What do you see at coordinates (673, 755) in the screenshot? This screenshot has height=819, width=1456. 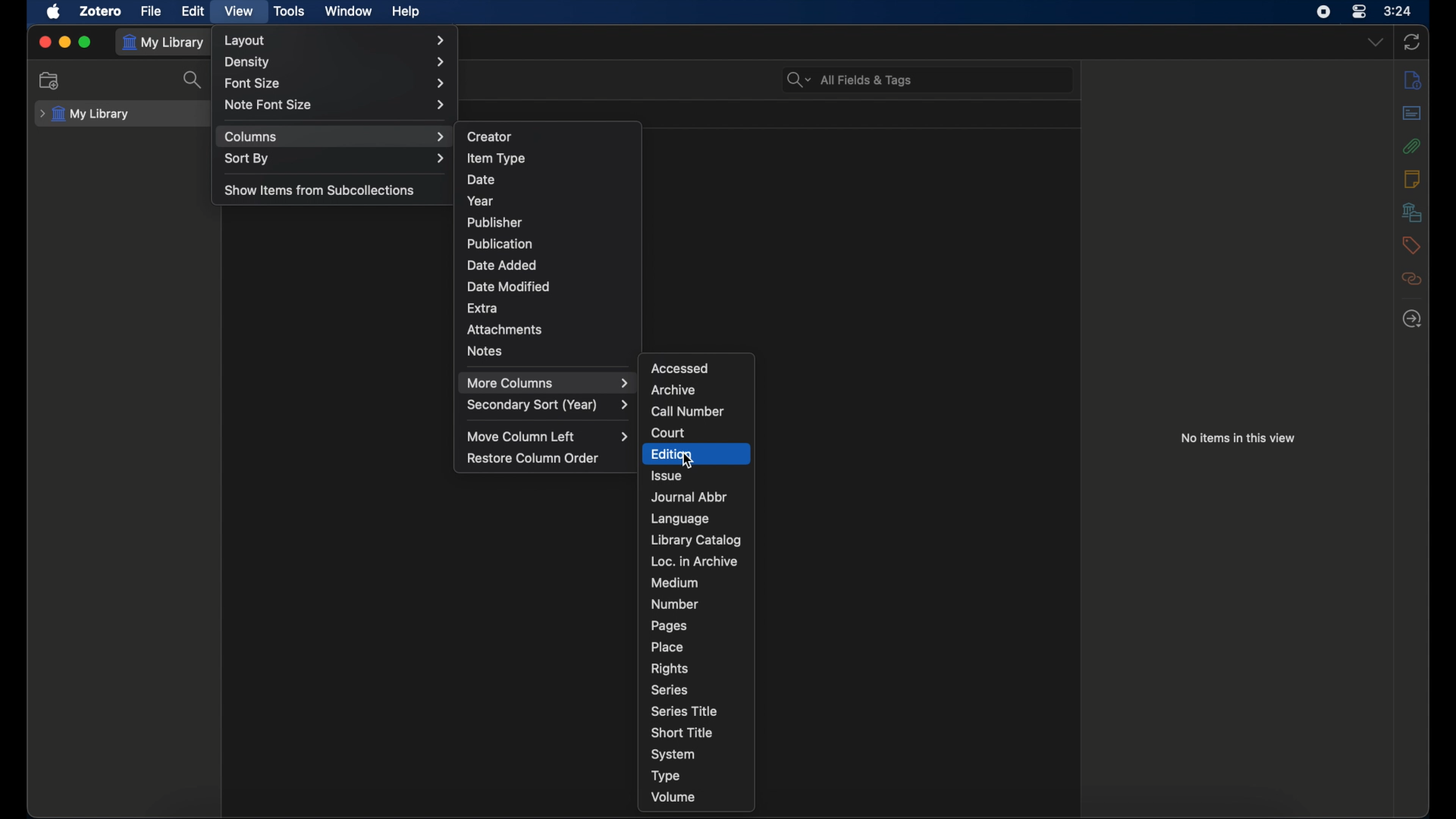 I see `system` at bounding box center [673, 755].